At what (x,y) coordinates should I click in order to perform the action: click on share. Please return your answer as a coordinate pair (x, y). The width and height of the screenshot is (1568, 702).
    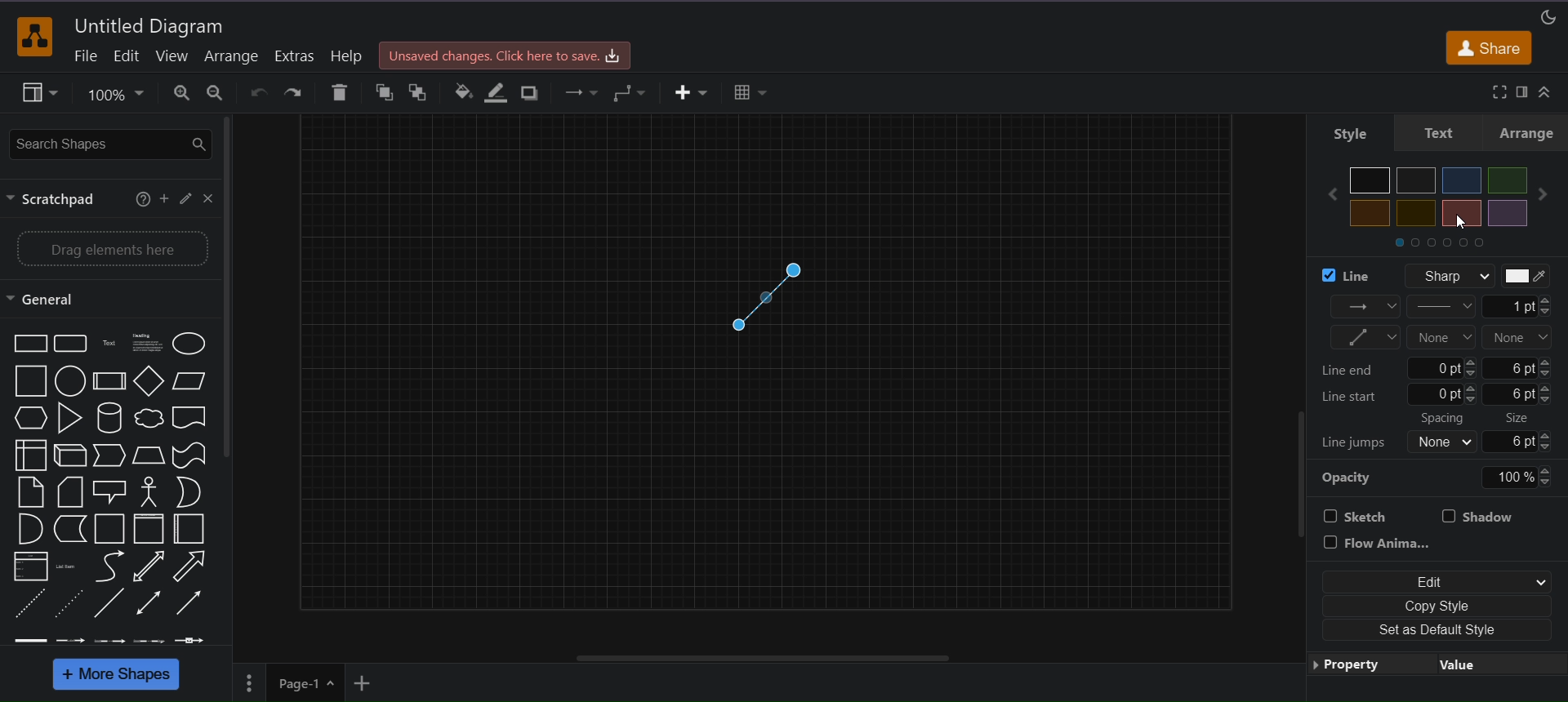
    Looking at the image, I should click on (1491, 50).